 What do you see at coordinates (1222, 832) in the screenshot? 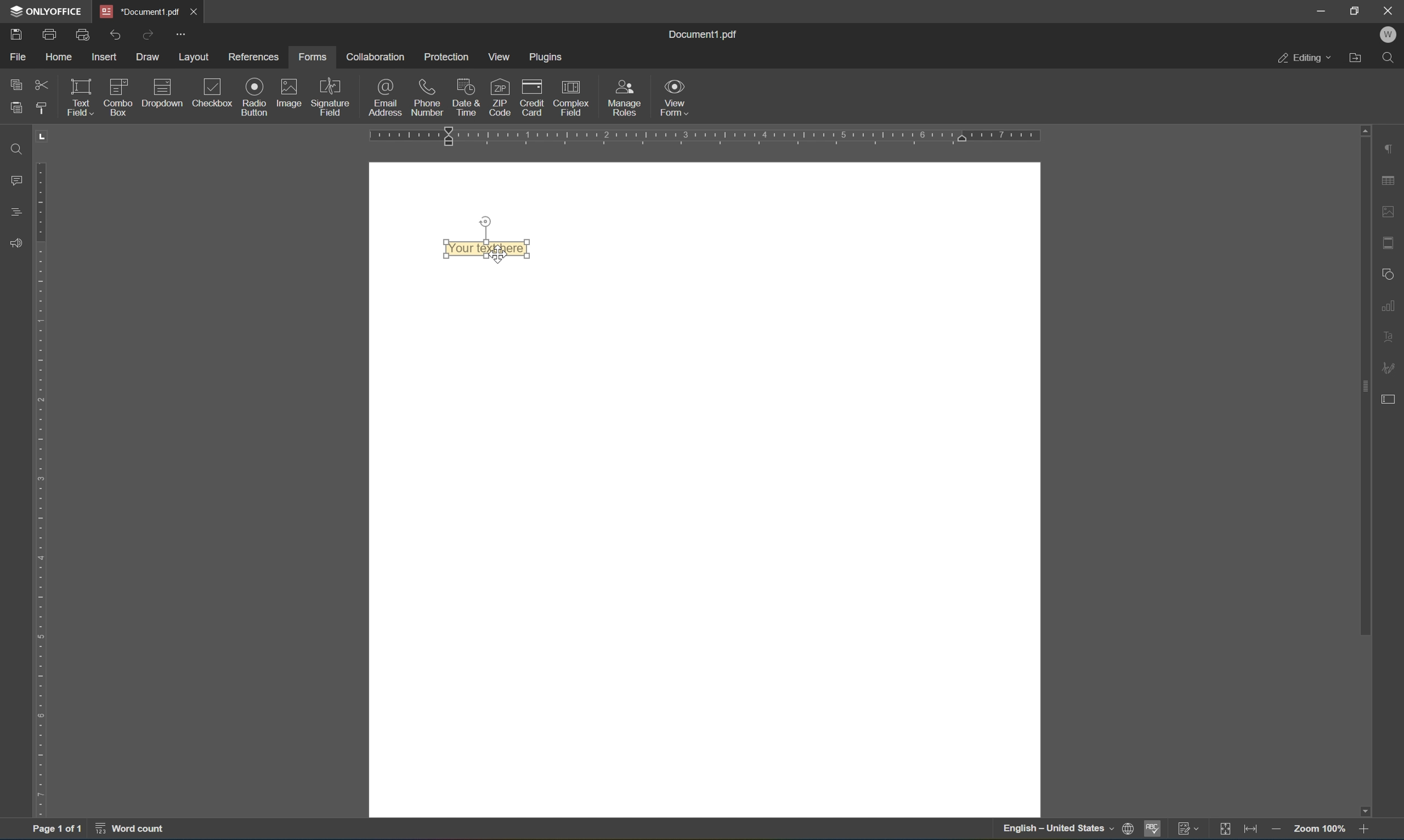
I see `fit to slide` at bounding box center [1222, 832].